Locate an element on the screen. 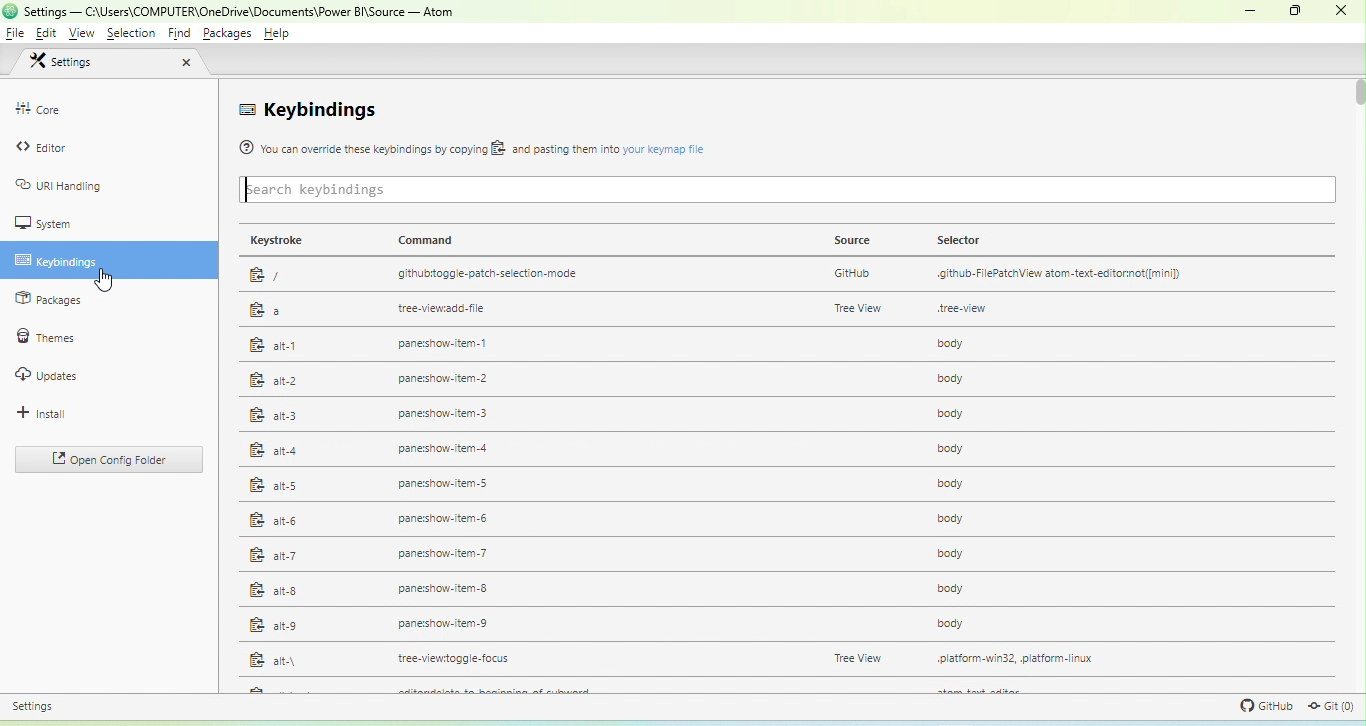  close is located at coordinates (185, 62).